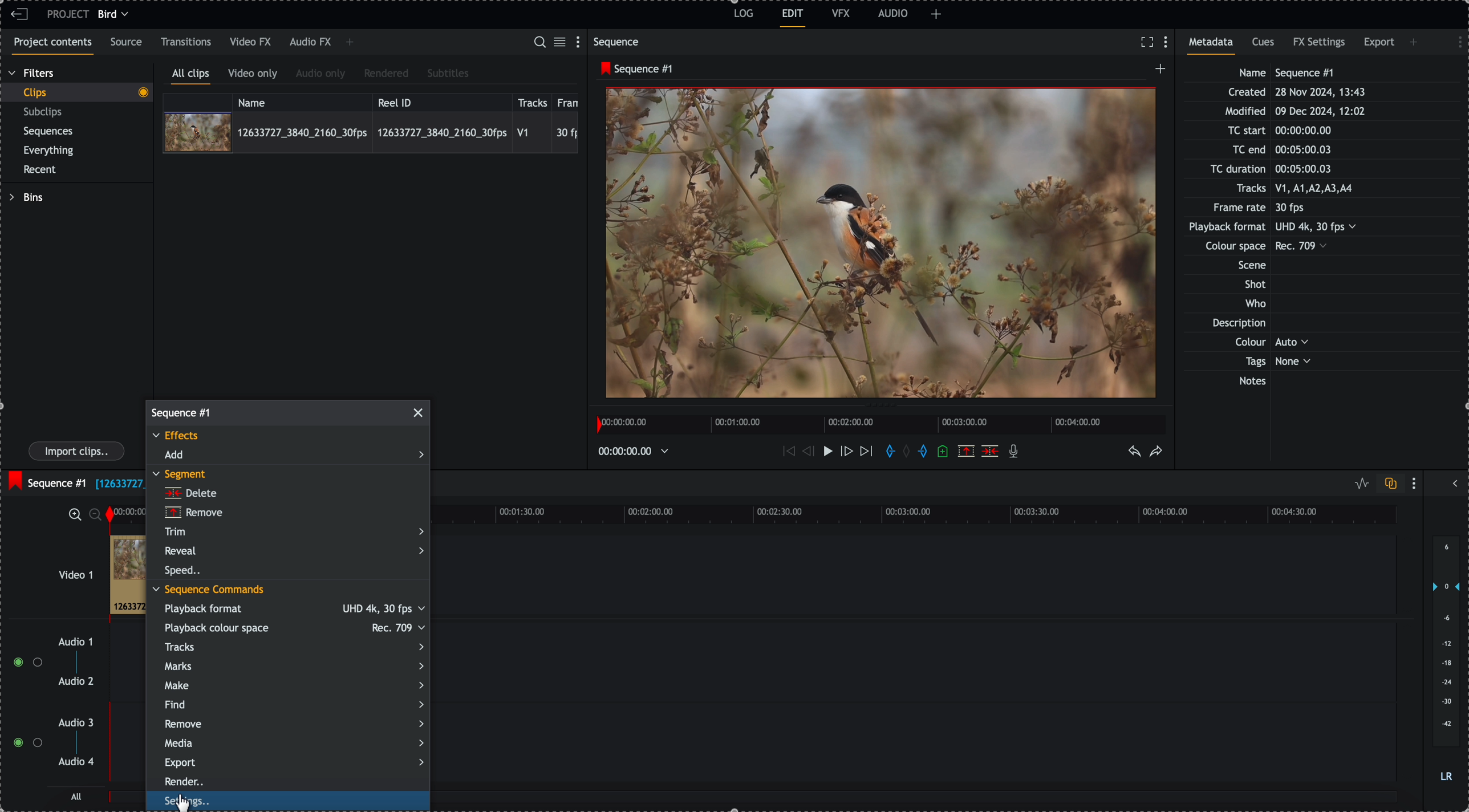 The height and width of the screenshot is (812, 1469). Describe the element at coordinates (50, 46) in the screenshot. I see `project contents` at that location.